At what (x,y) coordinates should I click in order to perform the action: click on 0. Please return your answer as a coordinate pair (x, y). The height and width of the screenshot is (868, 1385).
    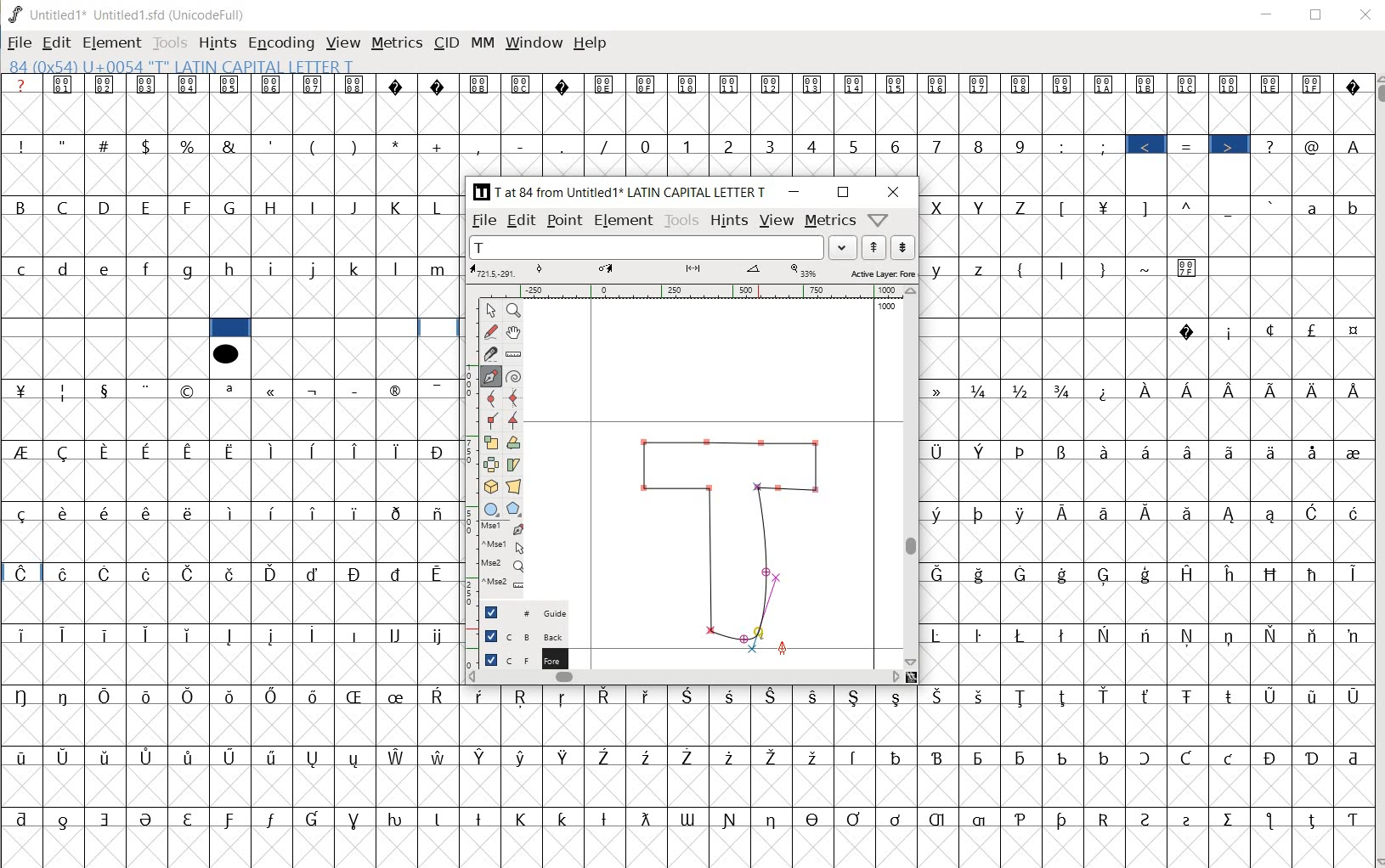
    Looking at the image, I should click on (647, 146).